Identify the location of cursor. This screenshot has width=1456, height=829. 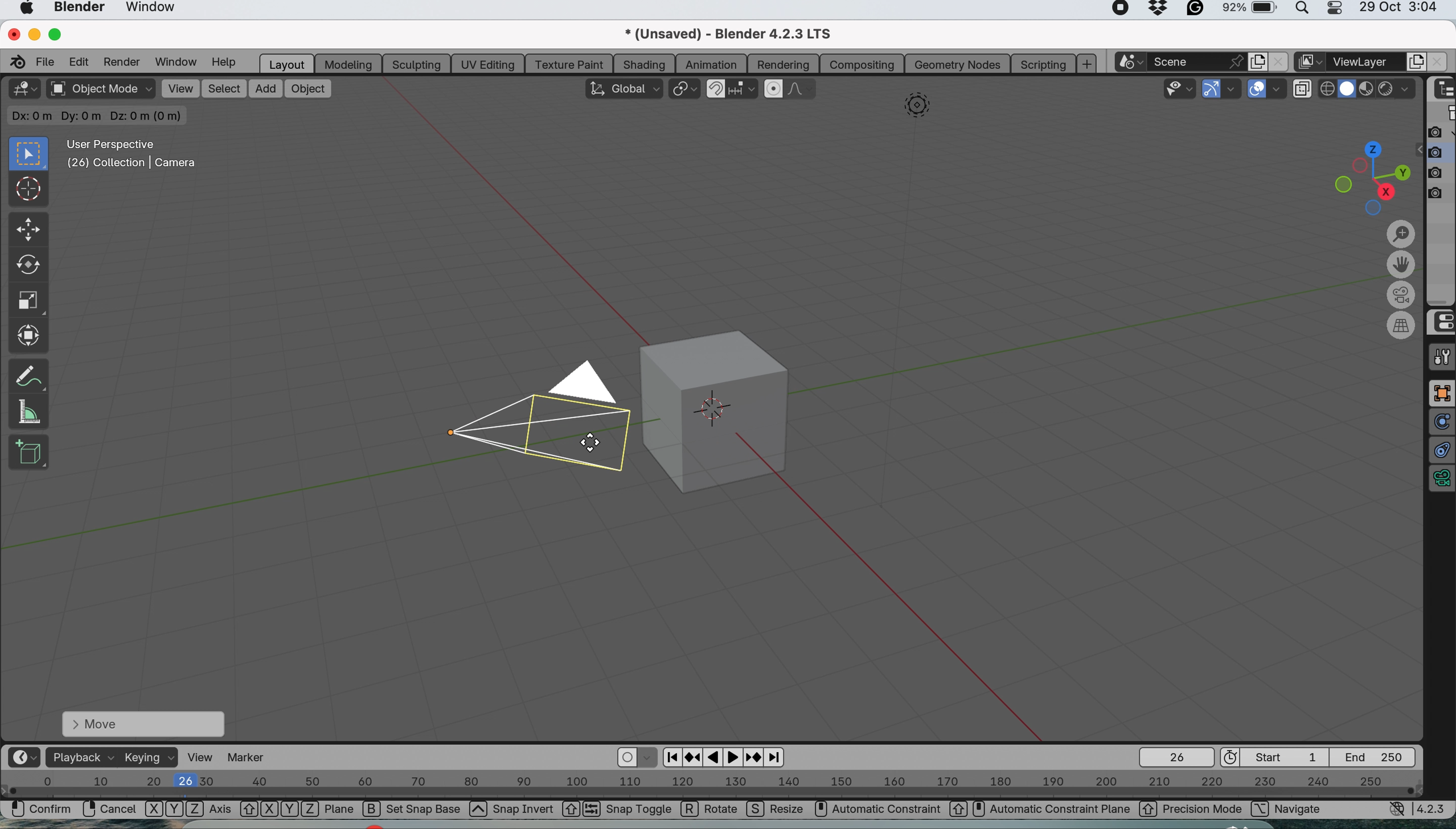
(29, 191).